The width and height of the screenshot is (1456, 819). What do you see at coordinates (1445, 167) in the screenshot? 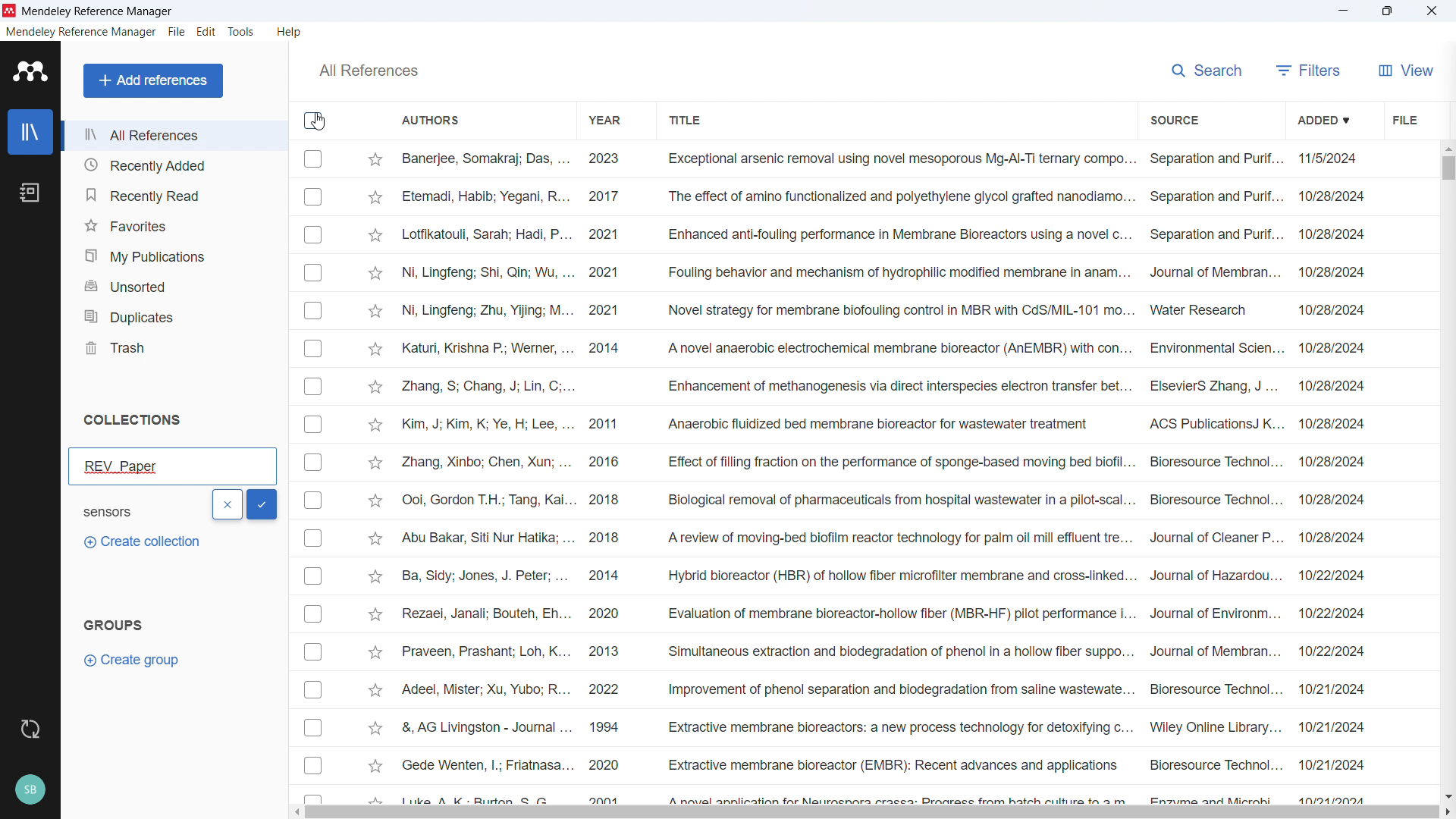
I see `Vertical scroll bar ` at bounding box center [1445, 167].